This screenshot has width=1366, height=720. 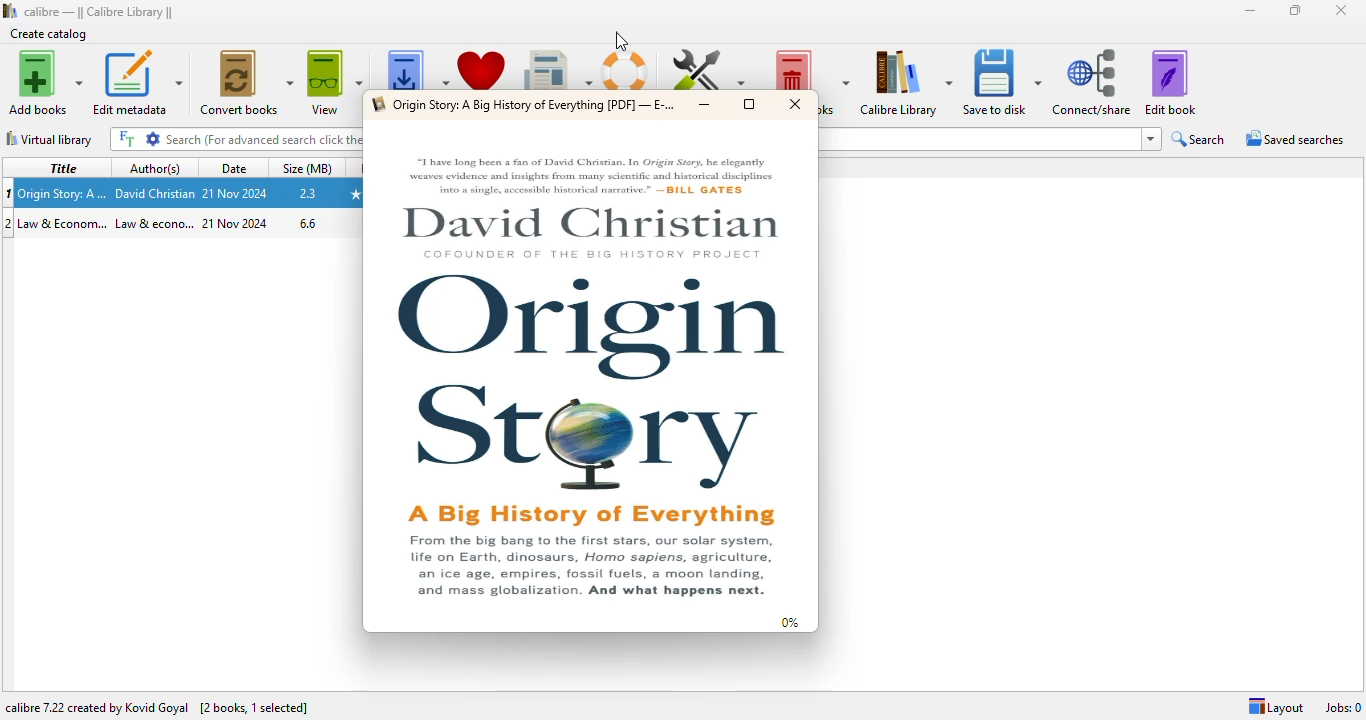 I want to click on Author, so click(x=155, y=192).